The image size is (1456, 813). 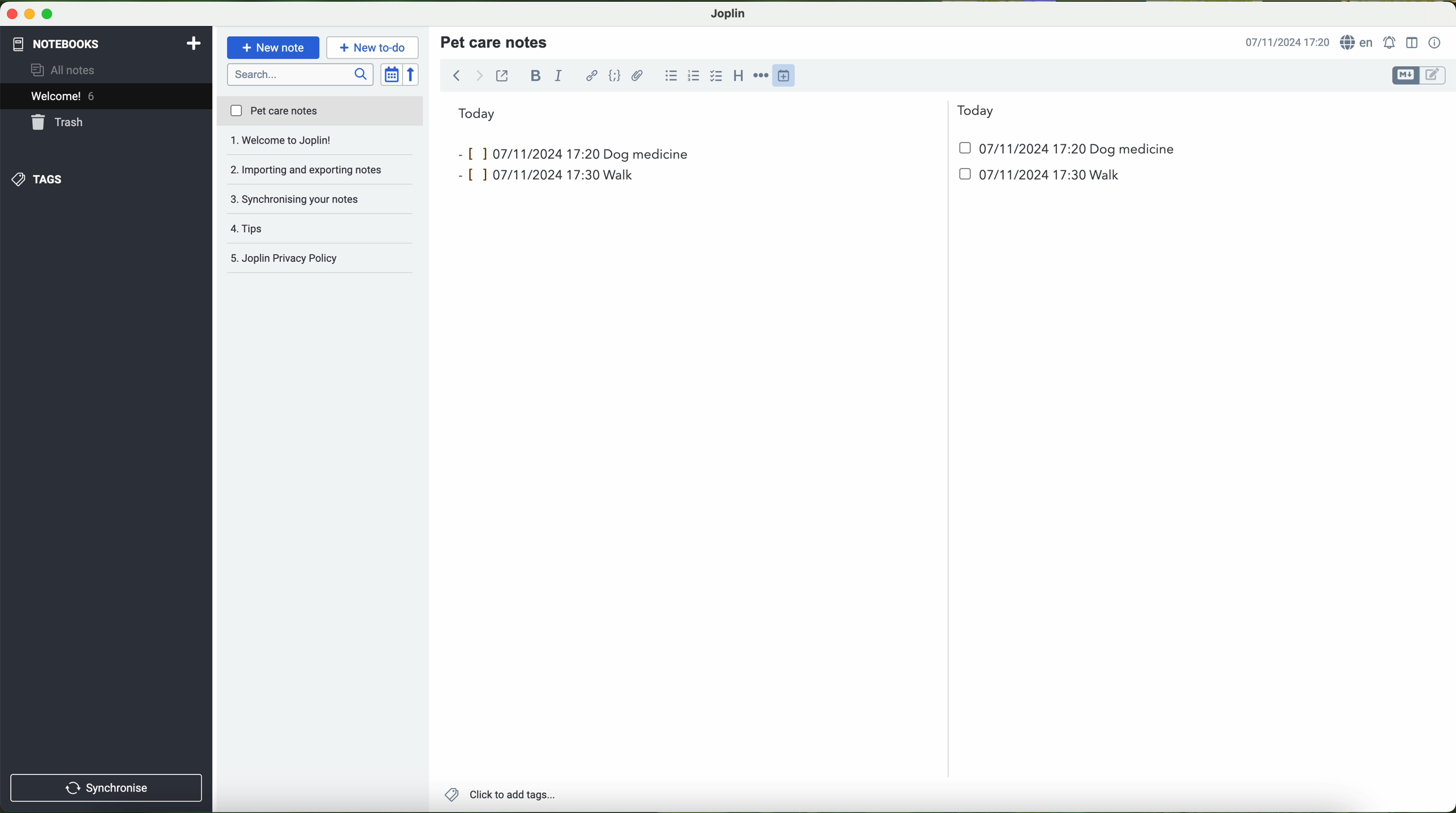 I want to click on pet care notes file, so click(x=319, y=112).